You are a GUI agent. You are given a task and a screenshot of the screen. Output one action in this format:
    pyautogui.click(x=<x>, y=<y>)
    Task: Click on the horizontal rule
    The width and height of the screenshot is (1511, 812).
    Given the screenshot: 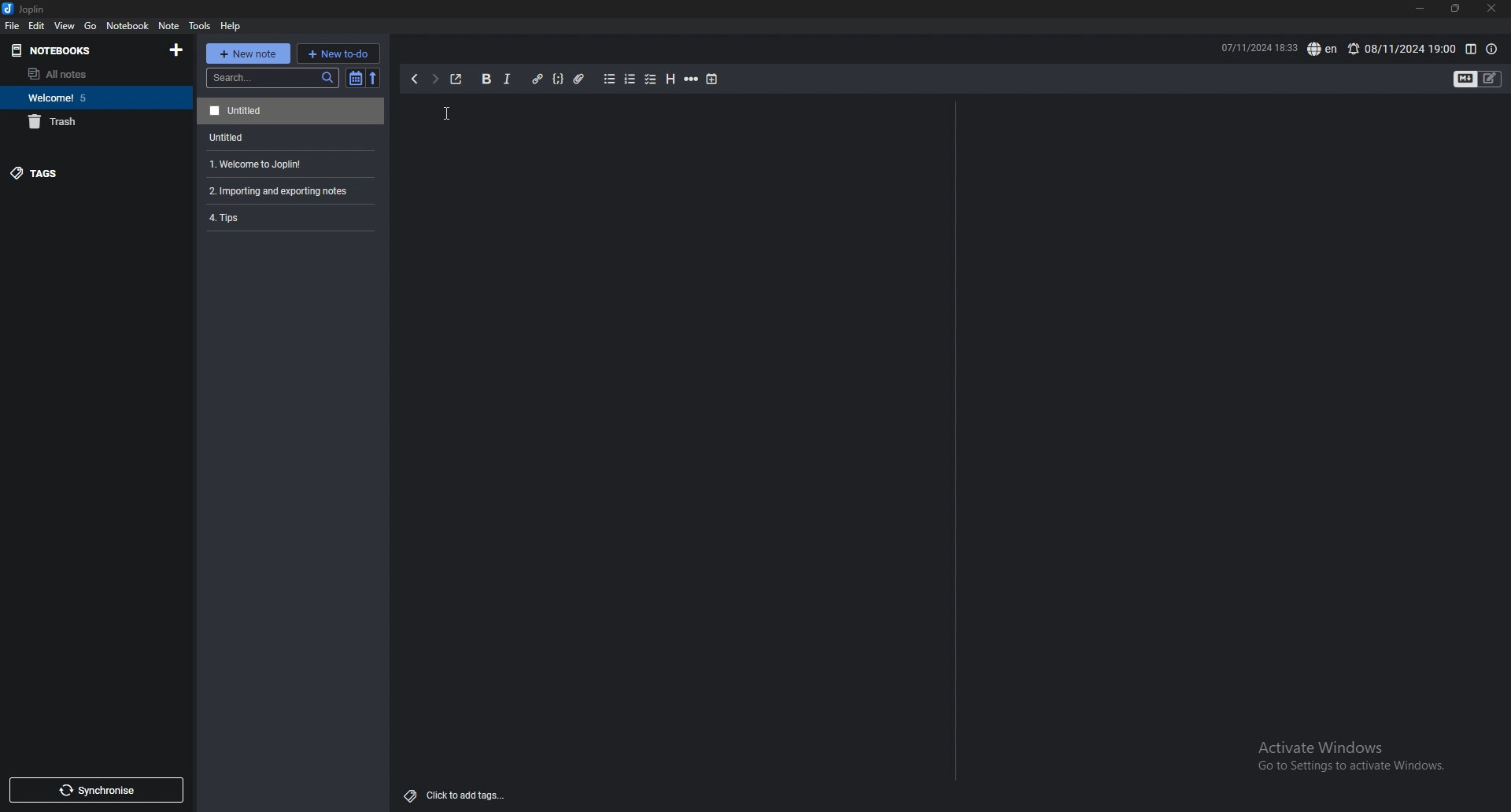 What is the action you would take?
    pyautogui.click(x=691, y=79)
    